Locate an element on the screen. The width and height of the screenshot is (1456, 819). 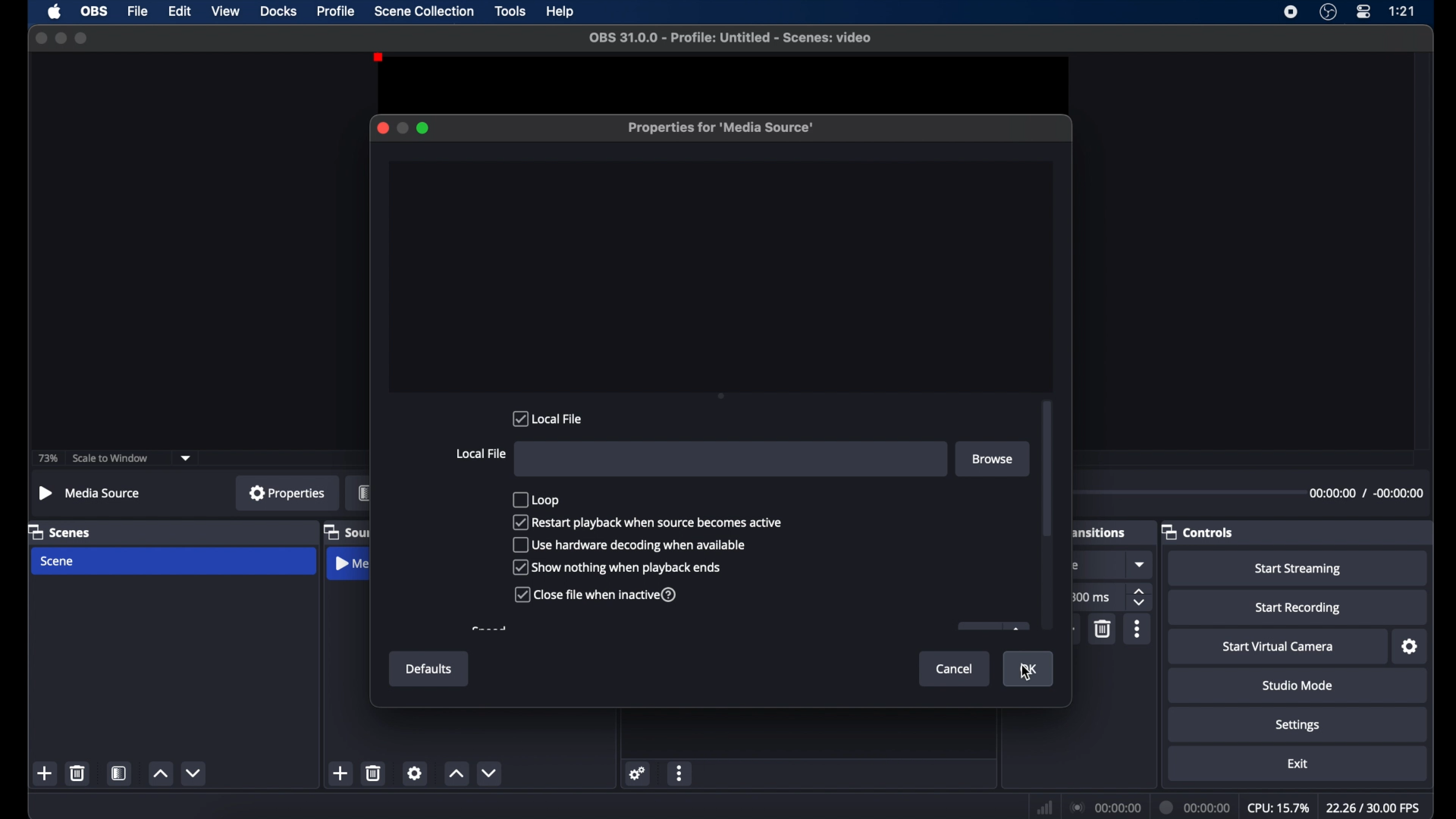
obscure text is located at coordinates (487, 629).